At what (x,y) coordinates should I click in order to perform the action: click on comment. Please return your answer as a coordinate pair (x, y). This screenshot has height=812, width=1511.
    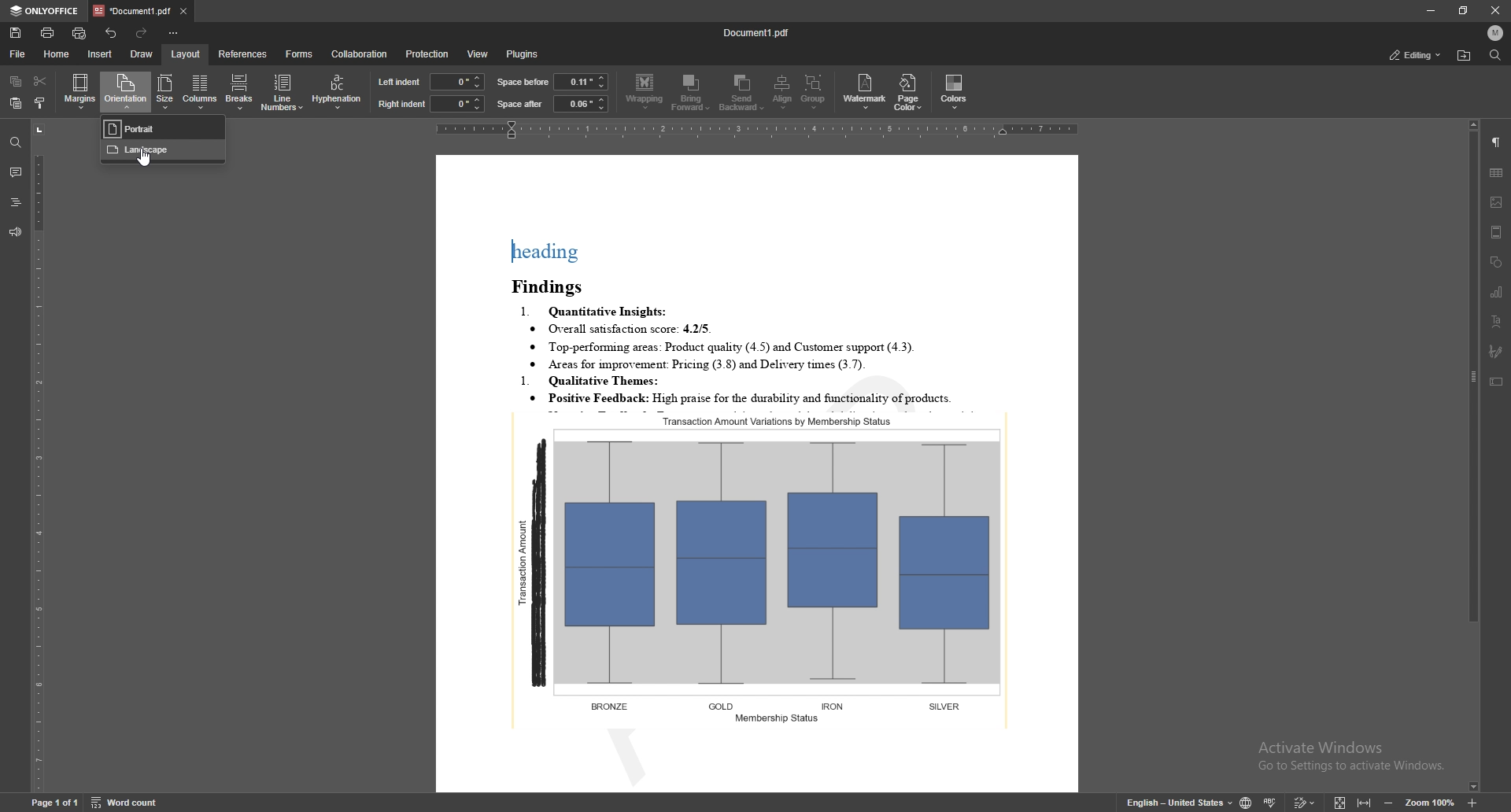
    Looking at the image, I should click on (16, 170).